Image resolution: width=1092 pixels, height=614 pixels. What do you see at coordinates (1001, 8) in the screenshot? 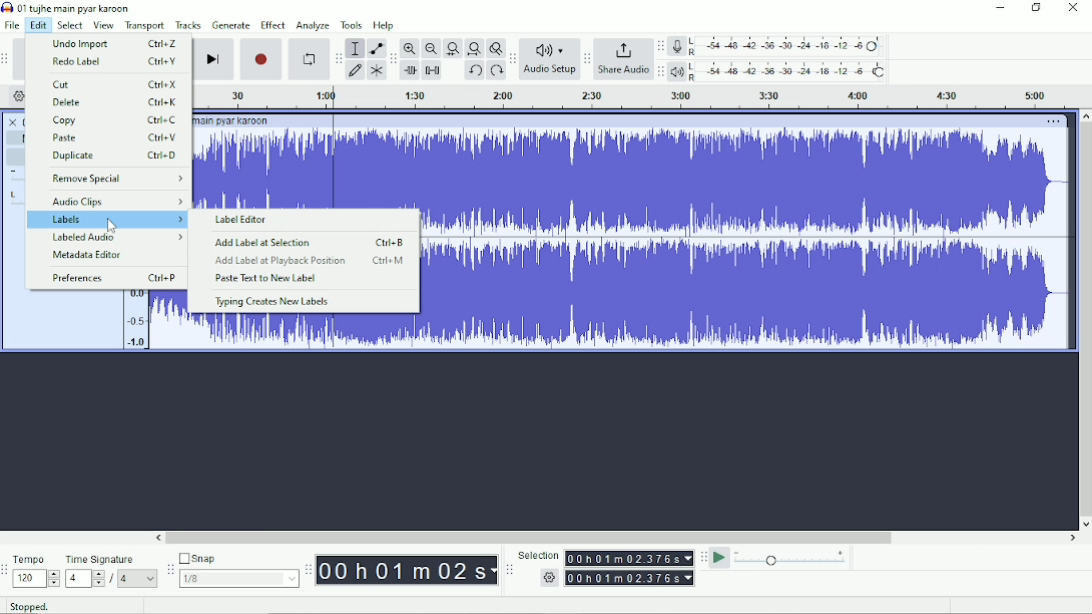
I see `Minimize` at bounding box center [1001, 8].